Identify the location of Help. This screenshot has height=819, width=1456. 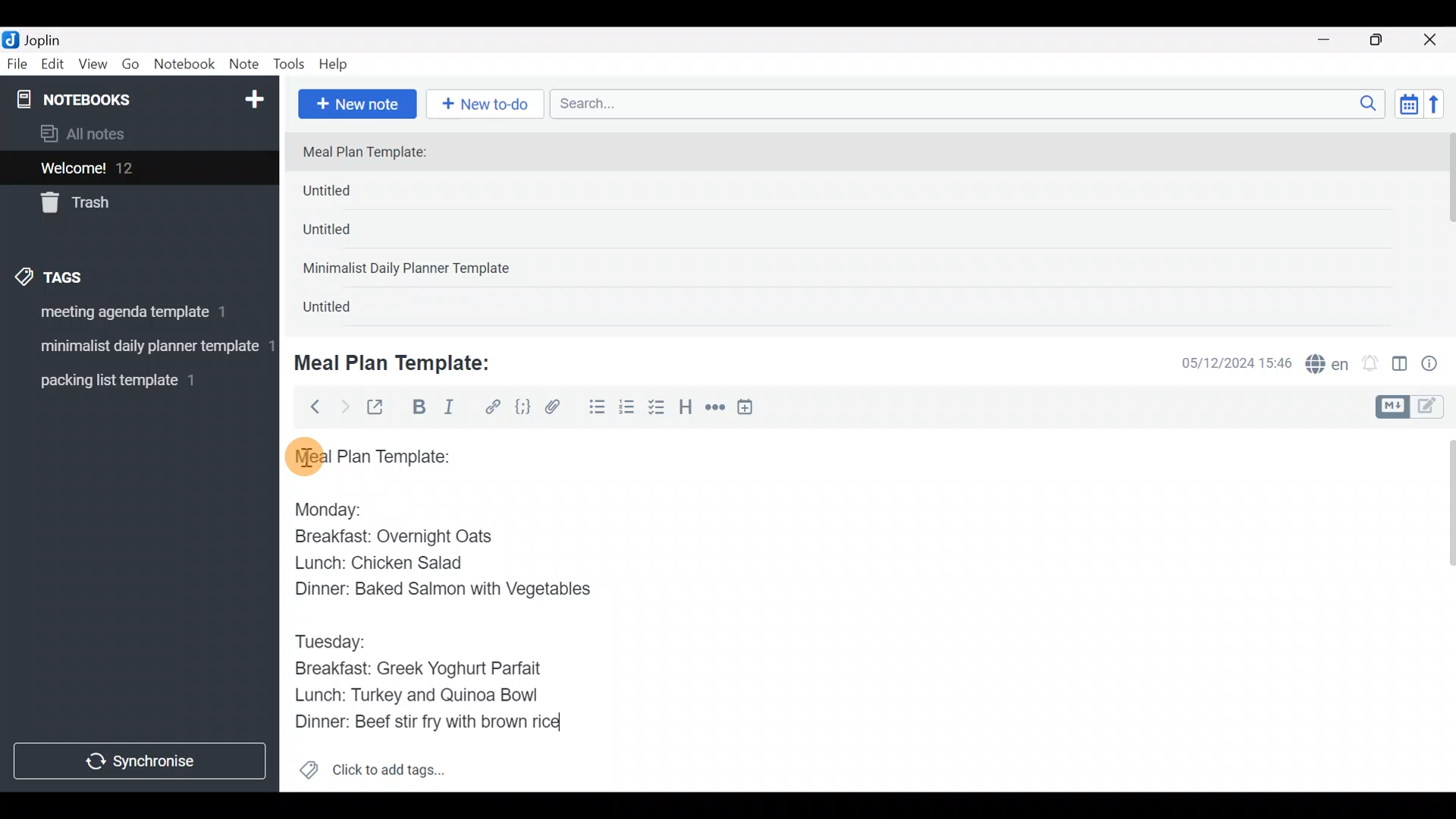
(339, 61).